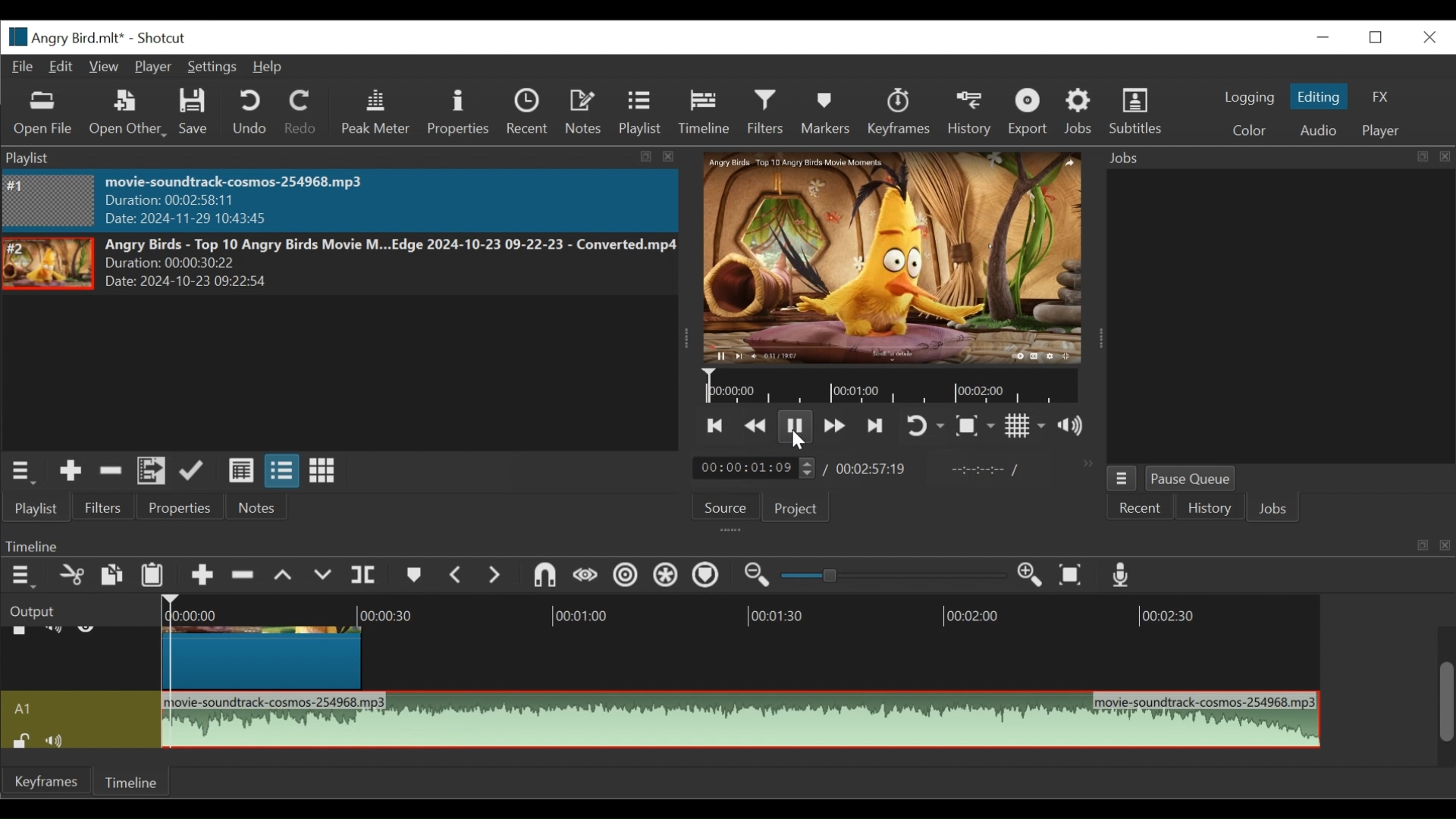 This screenshot has width=1456, height=819. I want to click on mute, so click(60, 739).